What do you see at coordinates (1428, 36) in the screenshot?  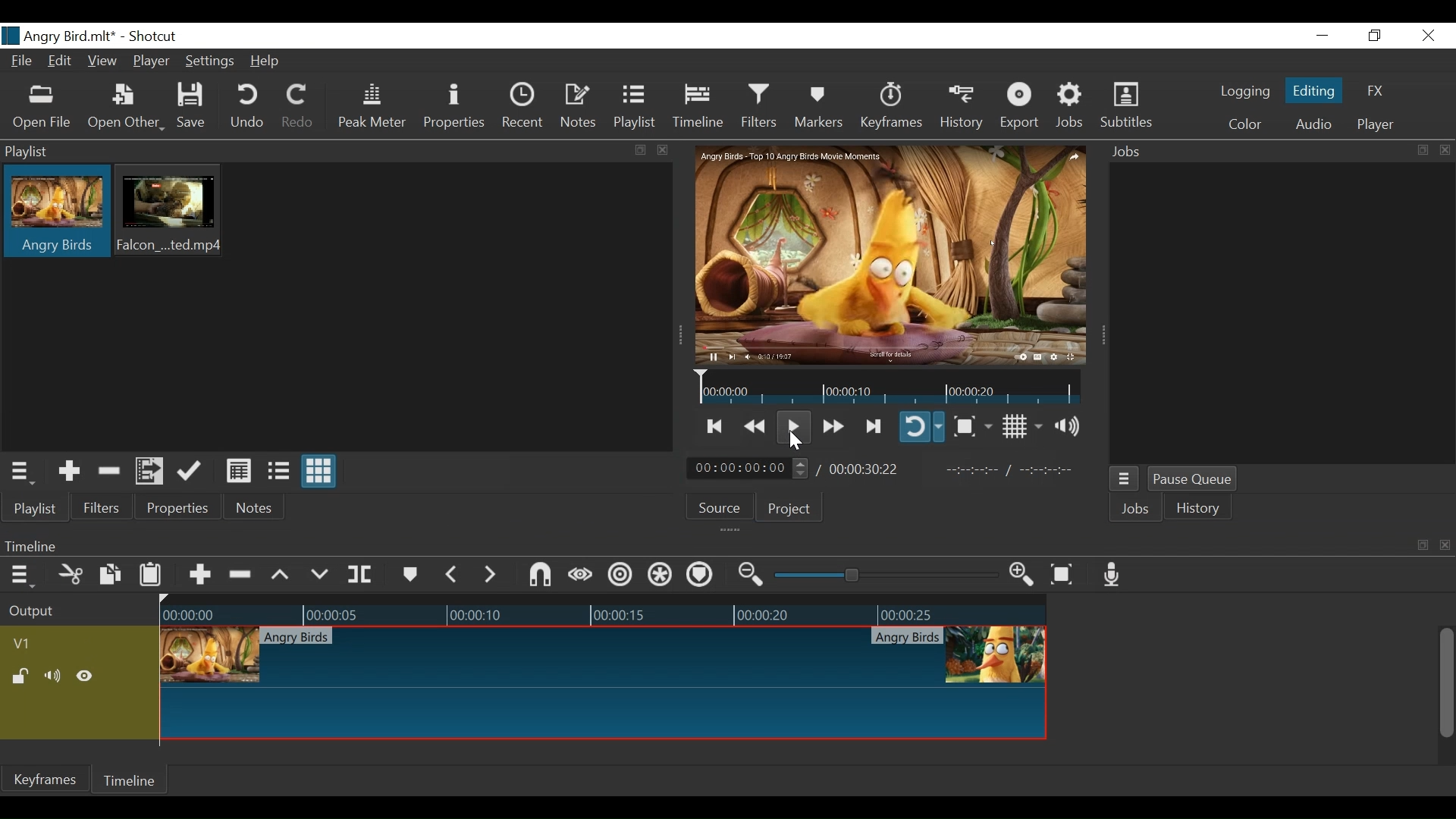 I see `Close` at bounding box center [1428, 36].